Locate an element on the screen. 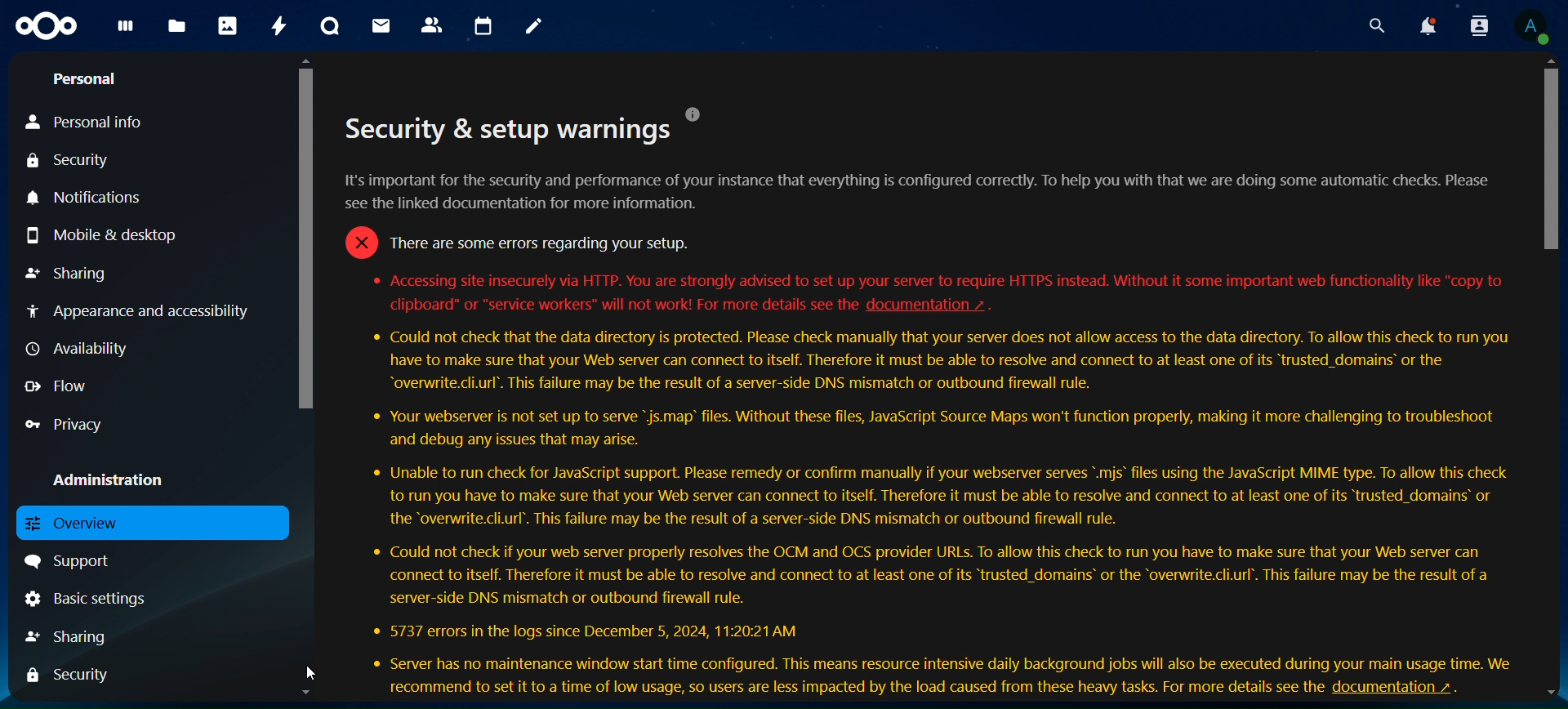  activity is located at coordinates (279, 23).